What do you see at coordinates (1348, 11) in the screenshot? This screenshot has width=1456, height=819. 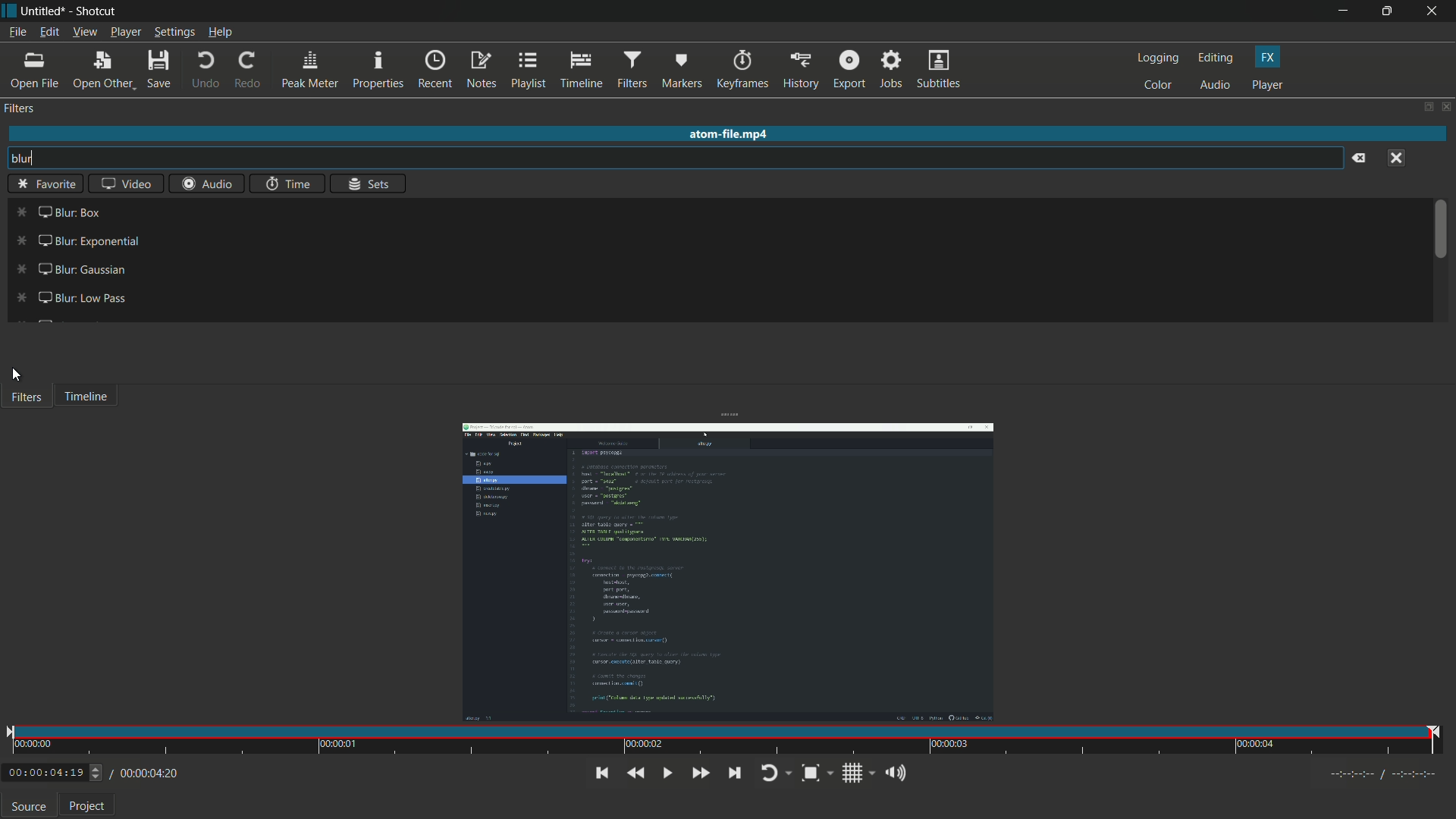 I see `minimize` at bounding box center [1348, 11].